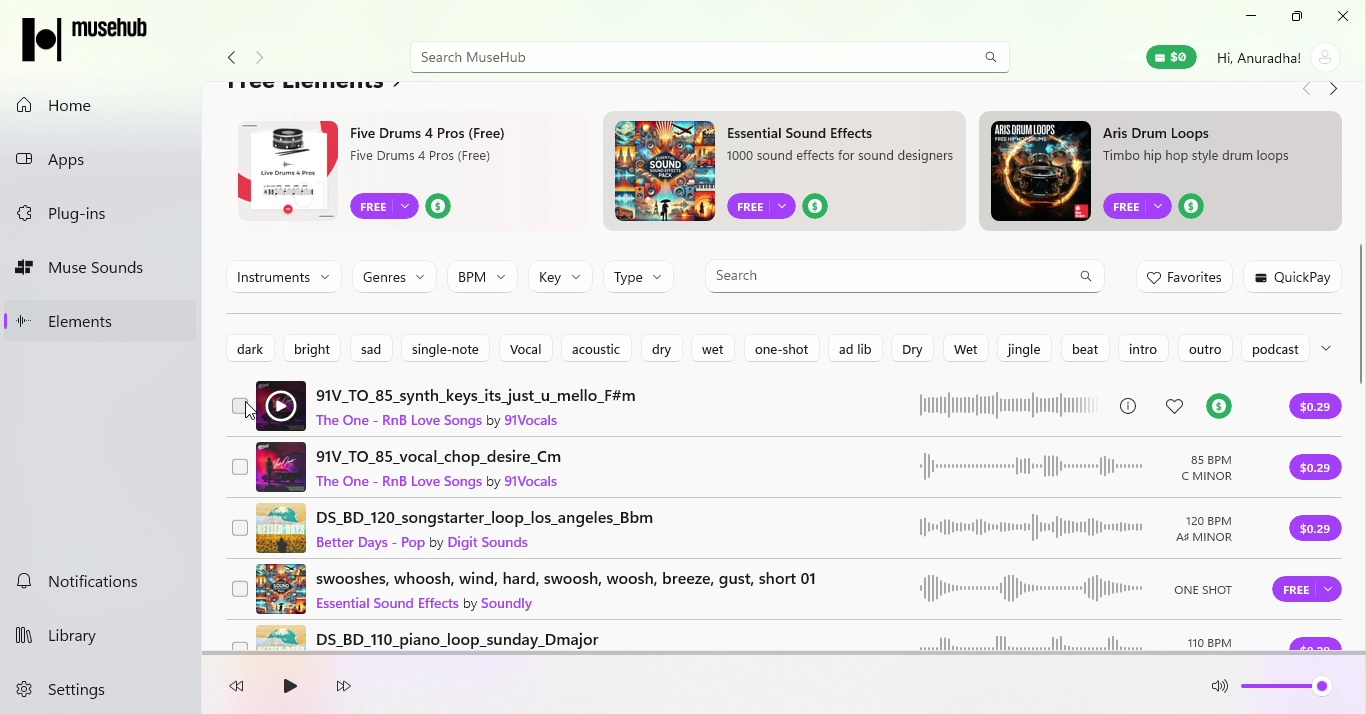 This screenshot has width=1366, height=714. Describe the element at coordinates (284, 276) in the screenshot. I see `instruments` at that location.